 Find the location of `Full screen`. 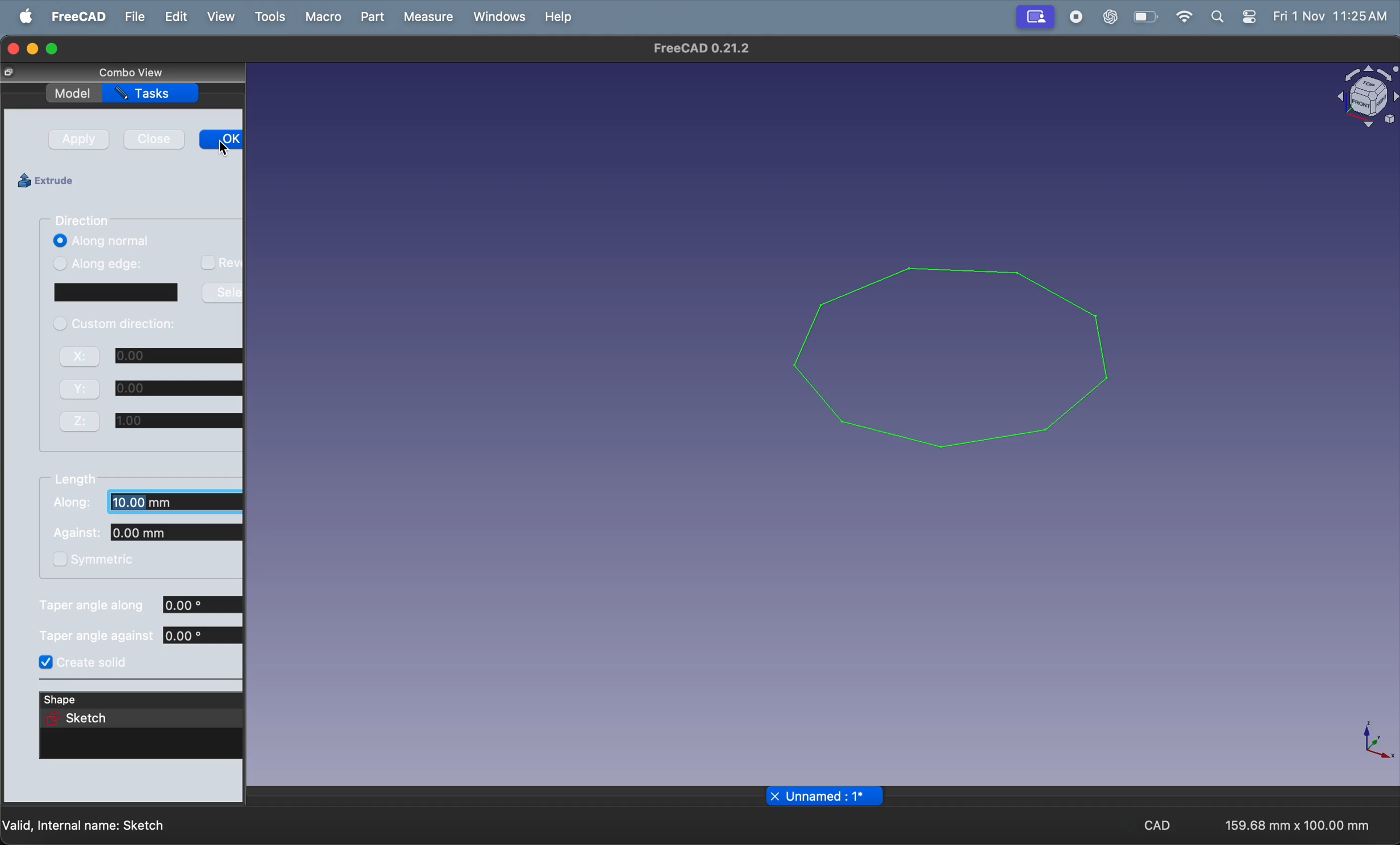

Full screen is located at coordinates (11, 72).